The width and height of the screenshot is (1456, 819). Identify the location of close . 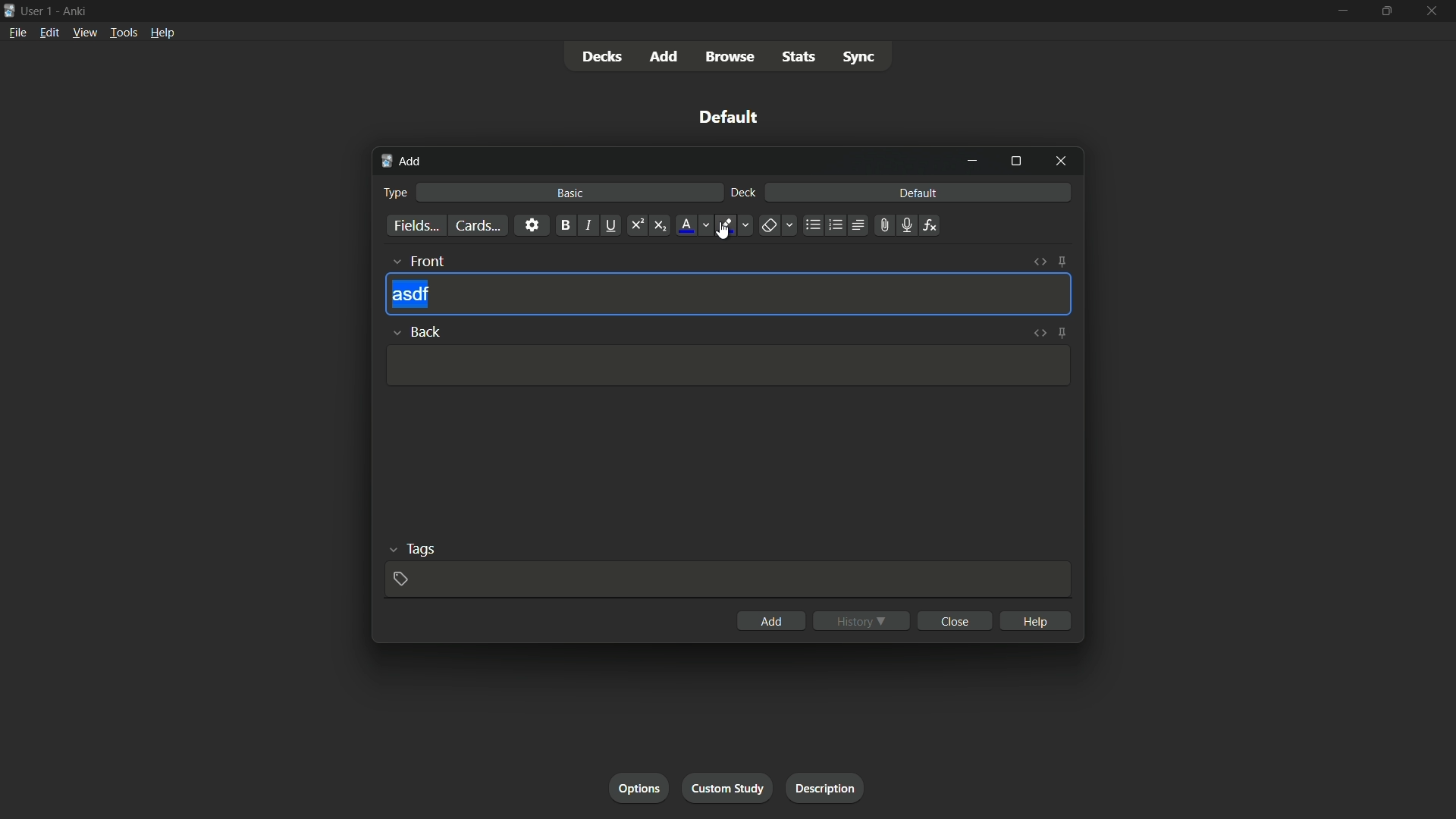
(1061, 162).